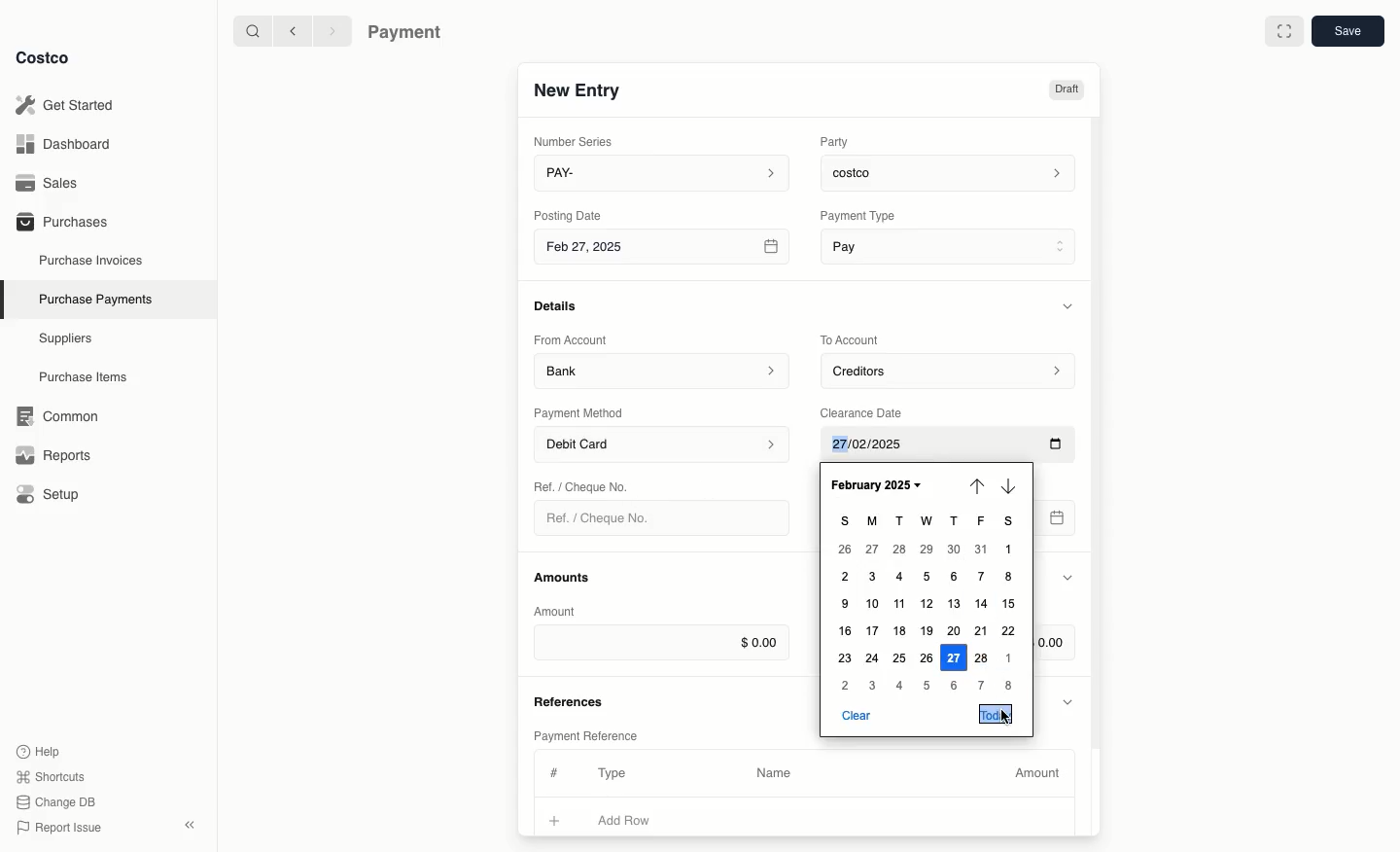  Describe the element at coordinates (856, 714) in the screenshot. I see `Clear` at that location.